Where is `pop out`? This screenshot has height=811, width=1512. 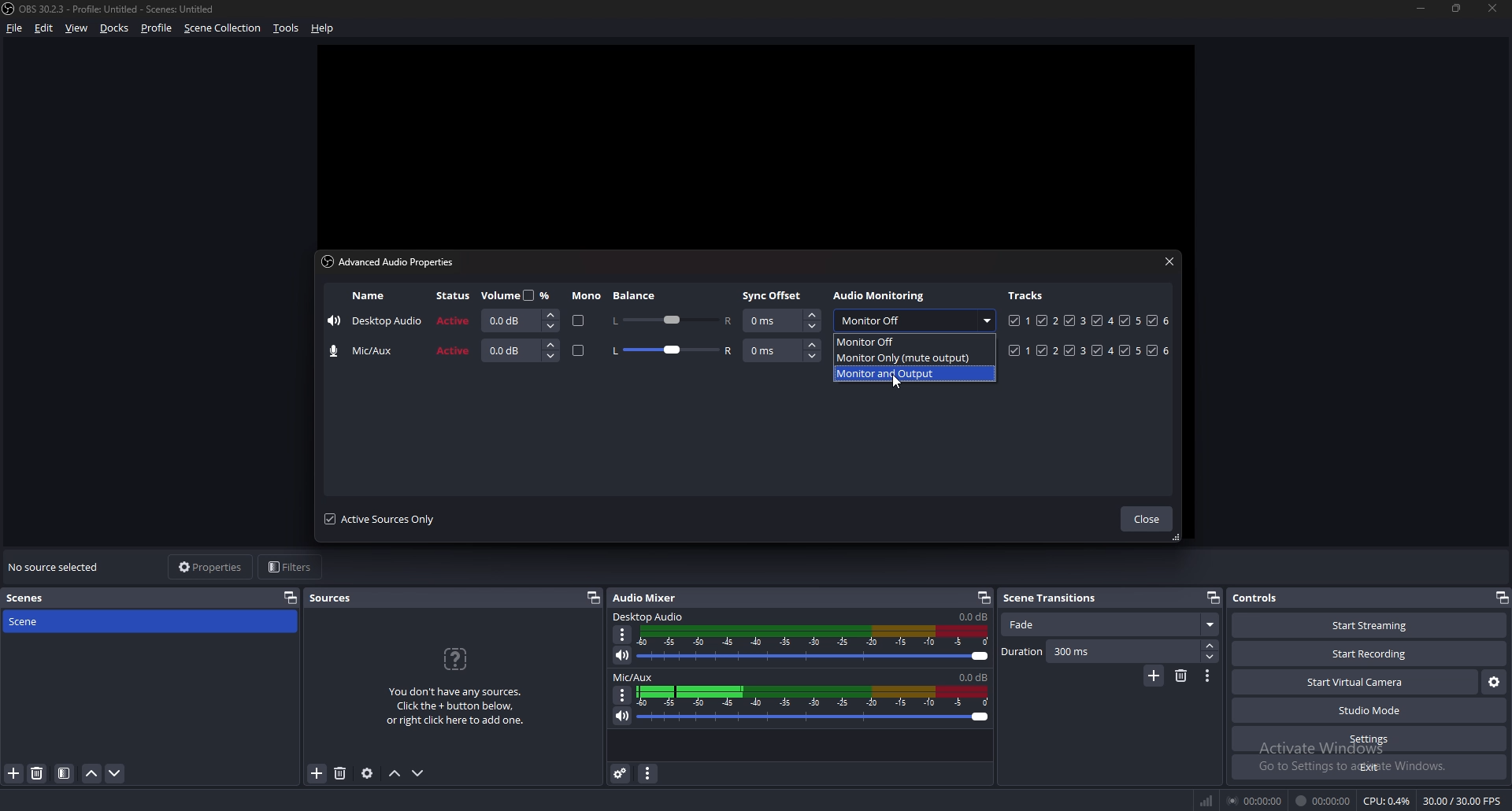
pop out is located at coordinates (594, 598).